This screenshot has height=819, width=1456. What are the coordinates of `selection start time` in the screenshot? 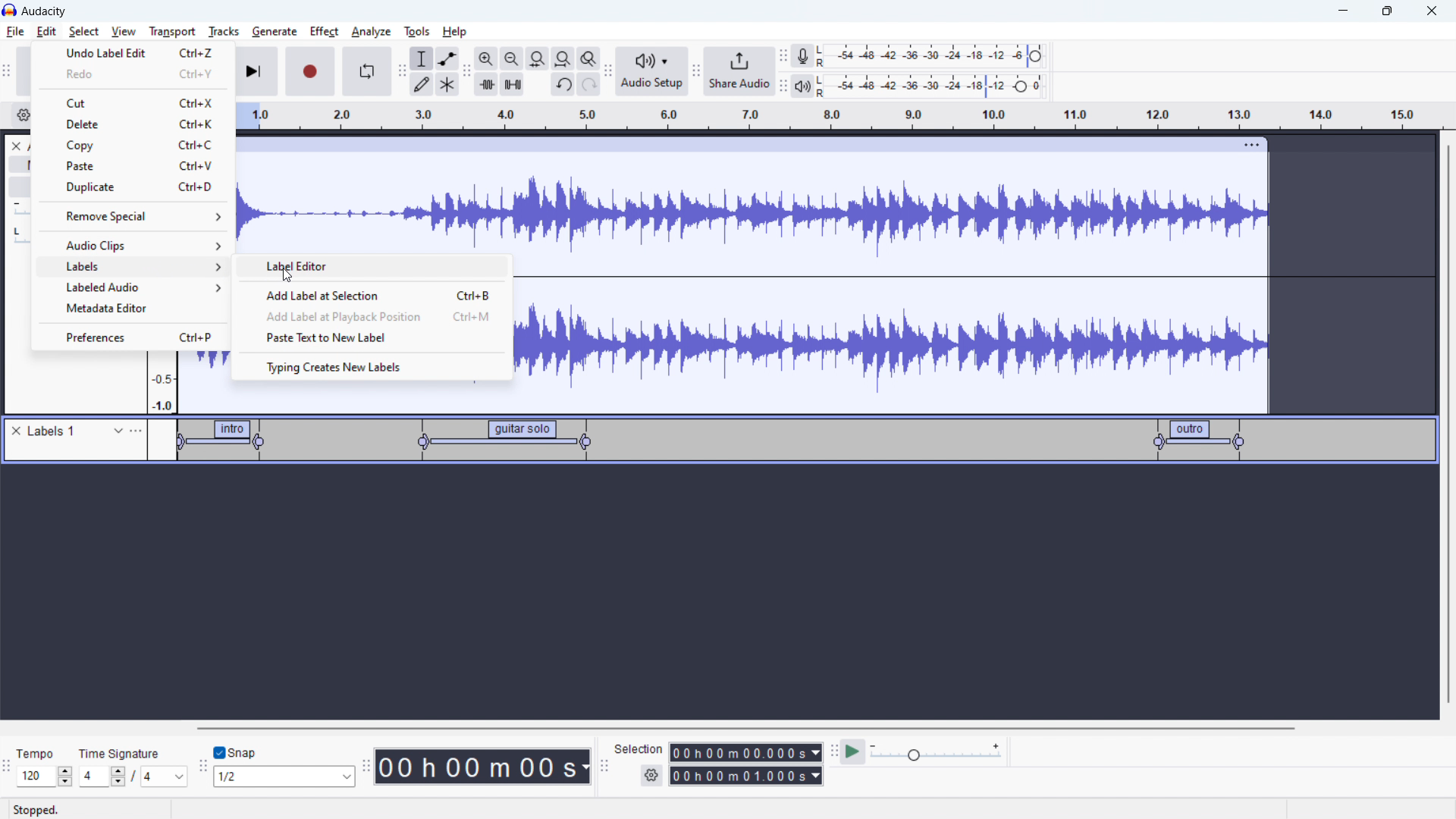 It's located at (746, 752).